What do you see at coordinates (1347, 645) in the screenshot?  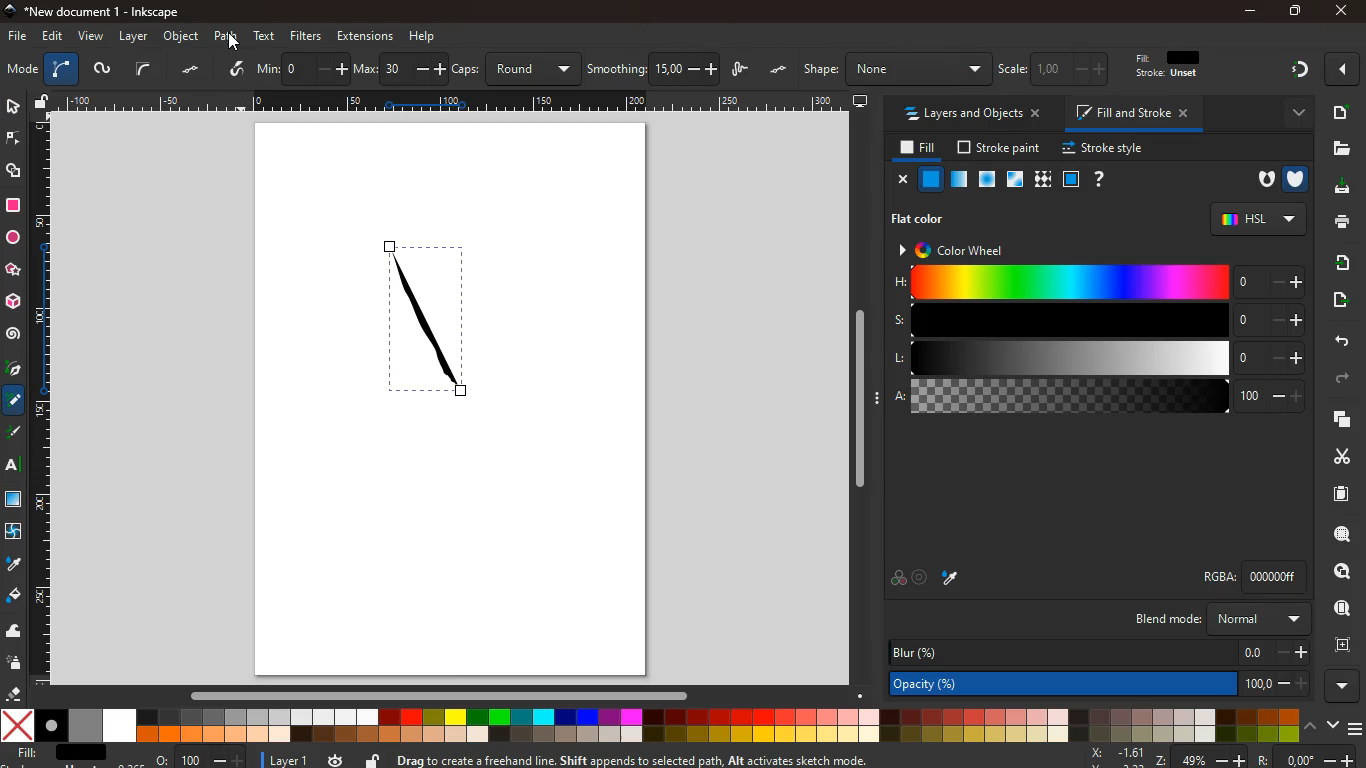 I see `frame` at bounding box center [1347, 645].